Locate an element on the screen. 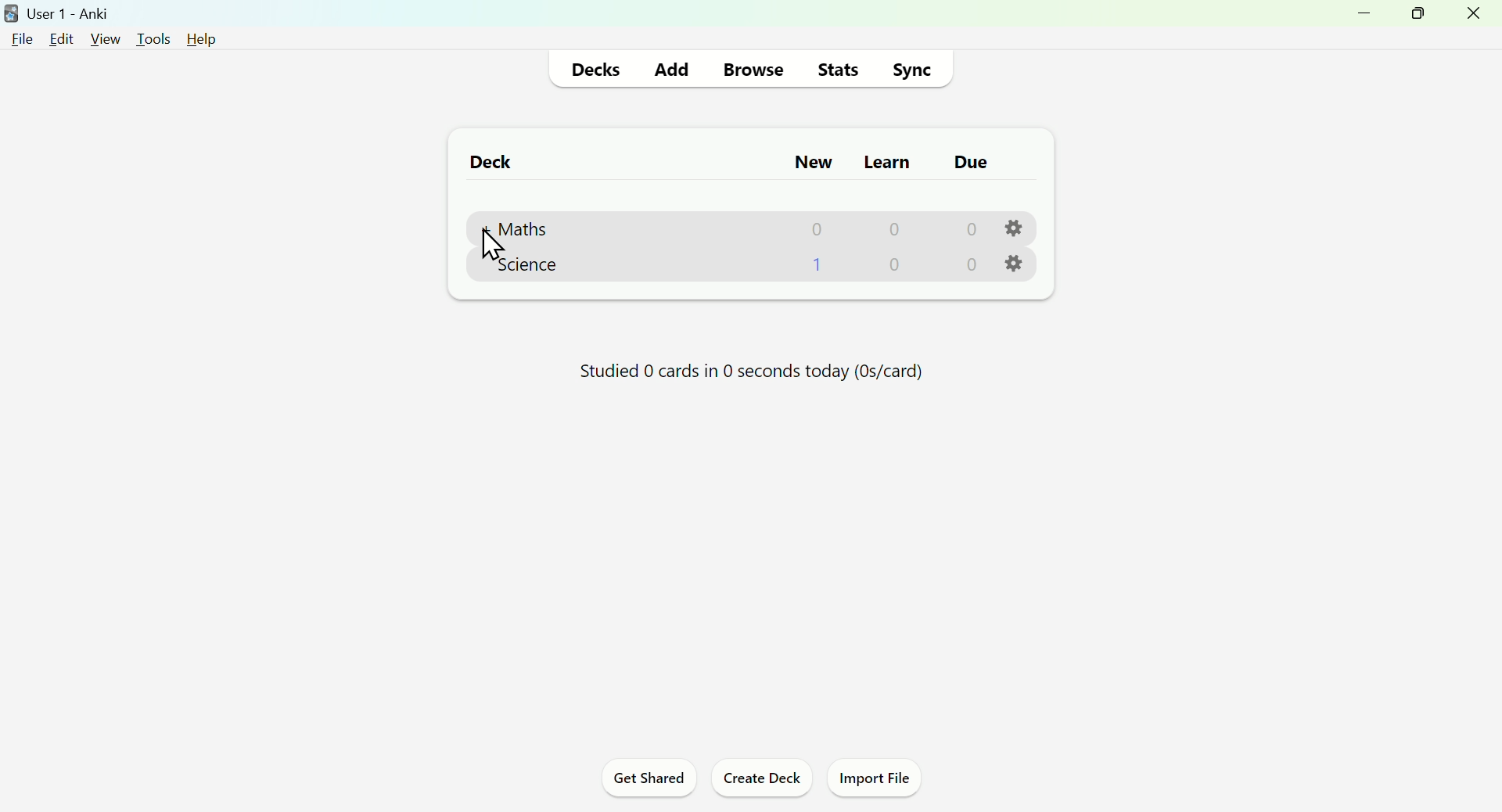 Image resolution: width=1502 pixels, height=812 pixels. Minimize is located at coordinates (1359, 20).